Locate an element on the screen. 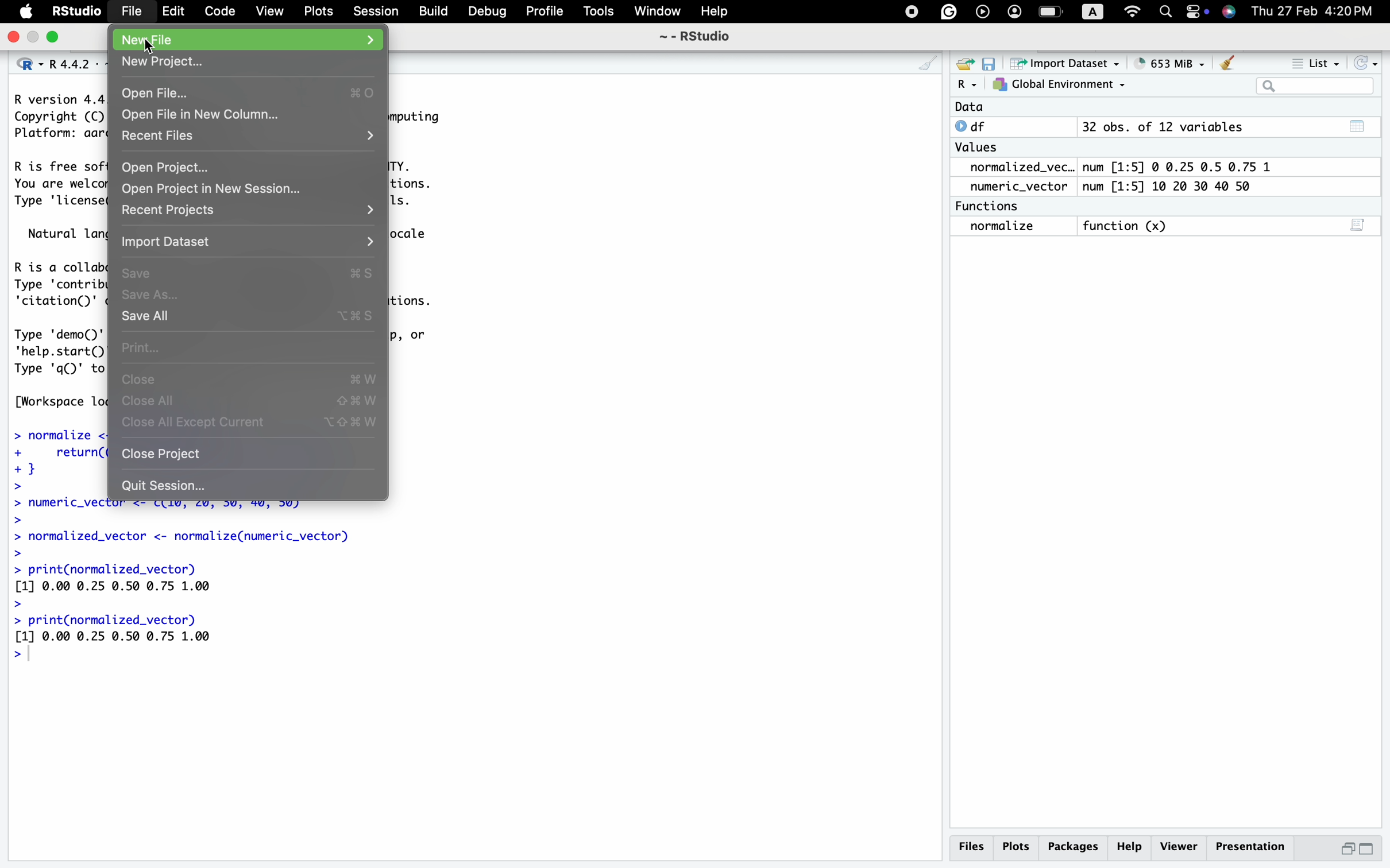  Close All is located at coordinates (150, 402).